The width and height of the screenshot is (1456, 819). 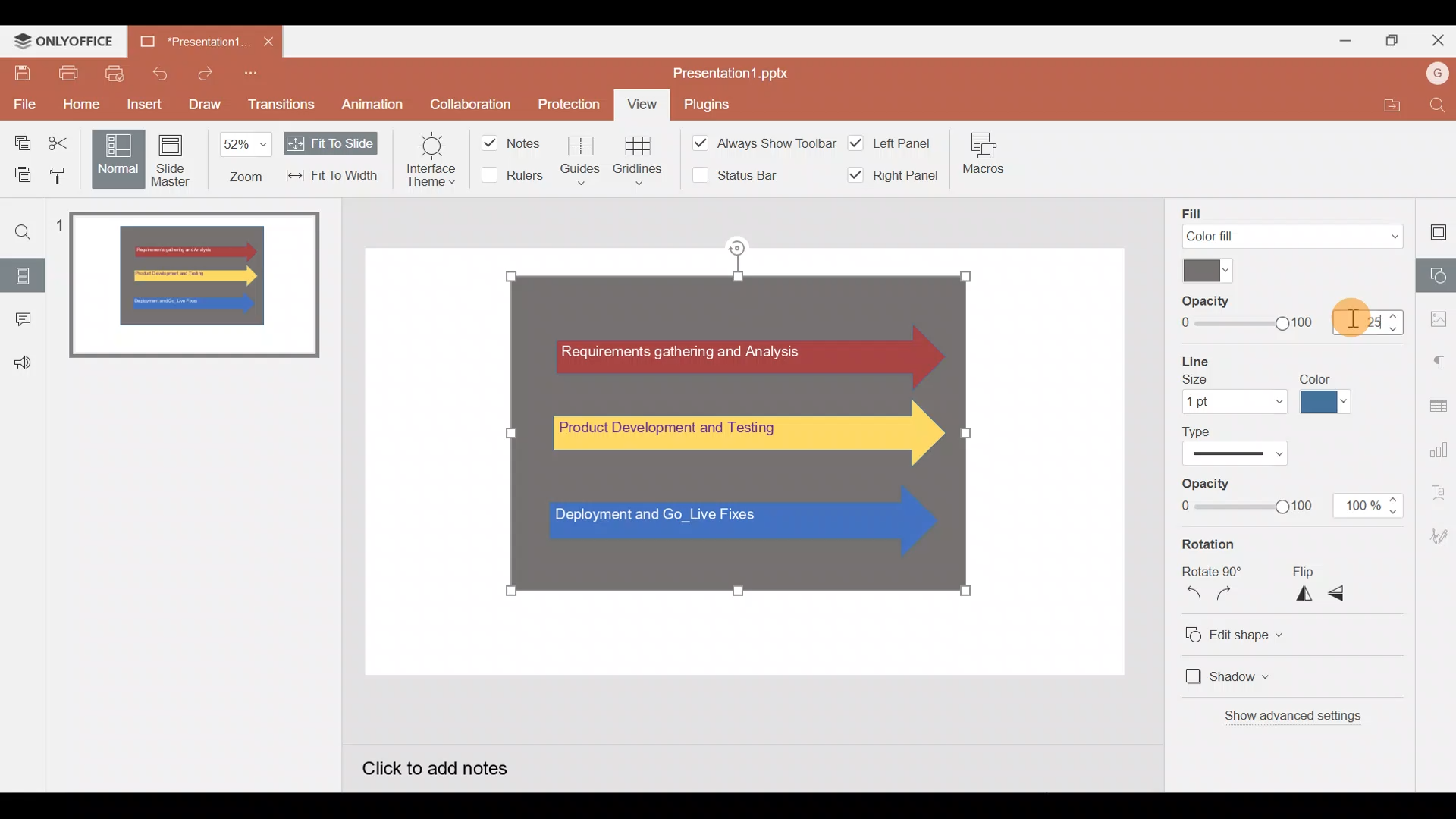 I want to click on Close, so click(x=268, y=42).